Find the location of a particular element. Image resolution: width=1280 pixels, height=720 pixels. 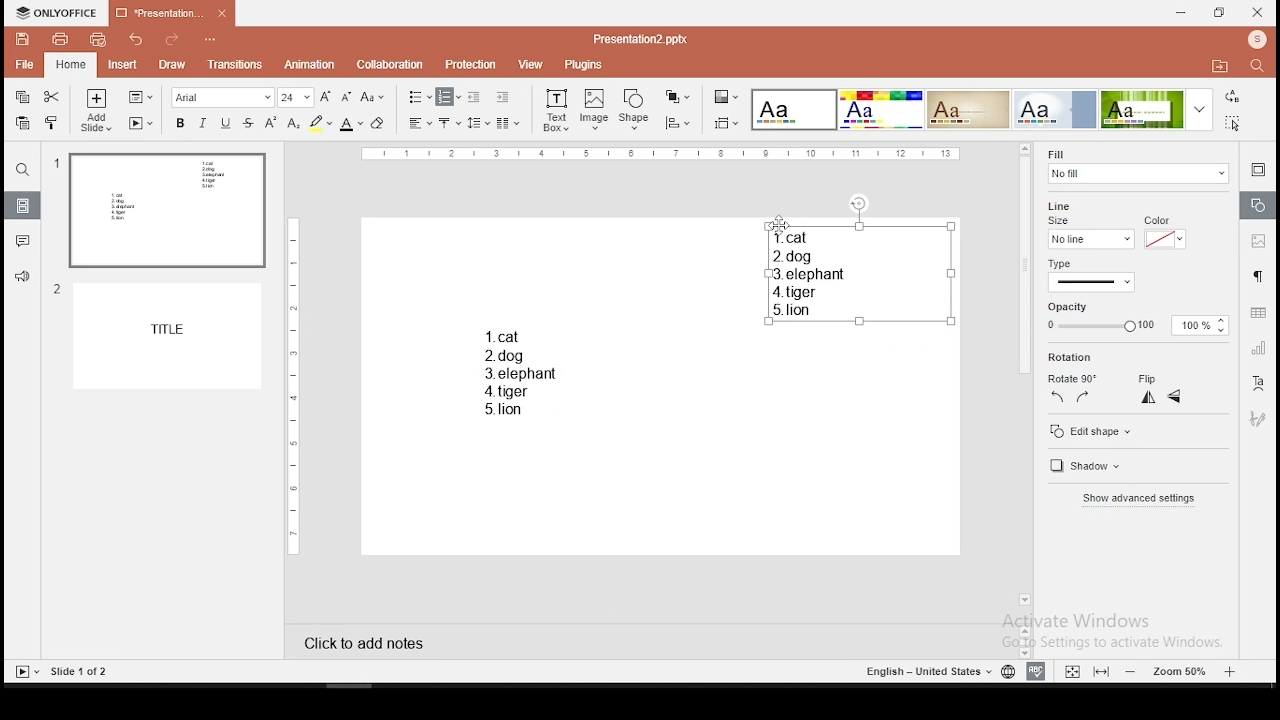

theme is located at coordinates (1157, 109).